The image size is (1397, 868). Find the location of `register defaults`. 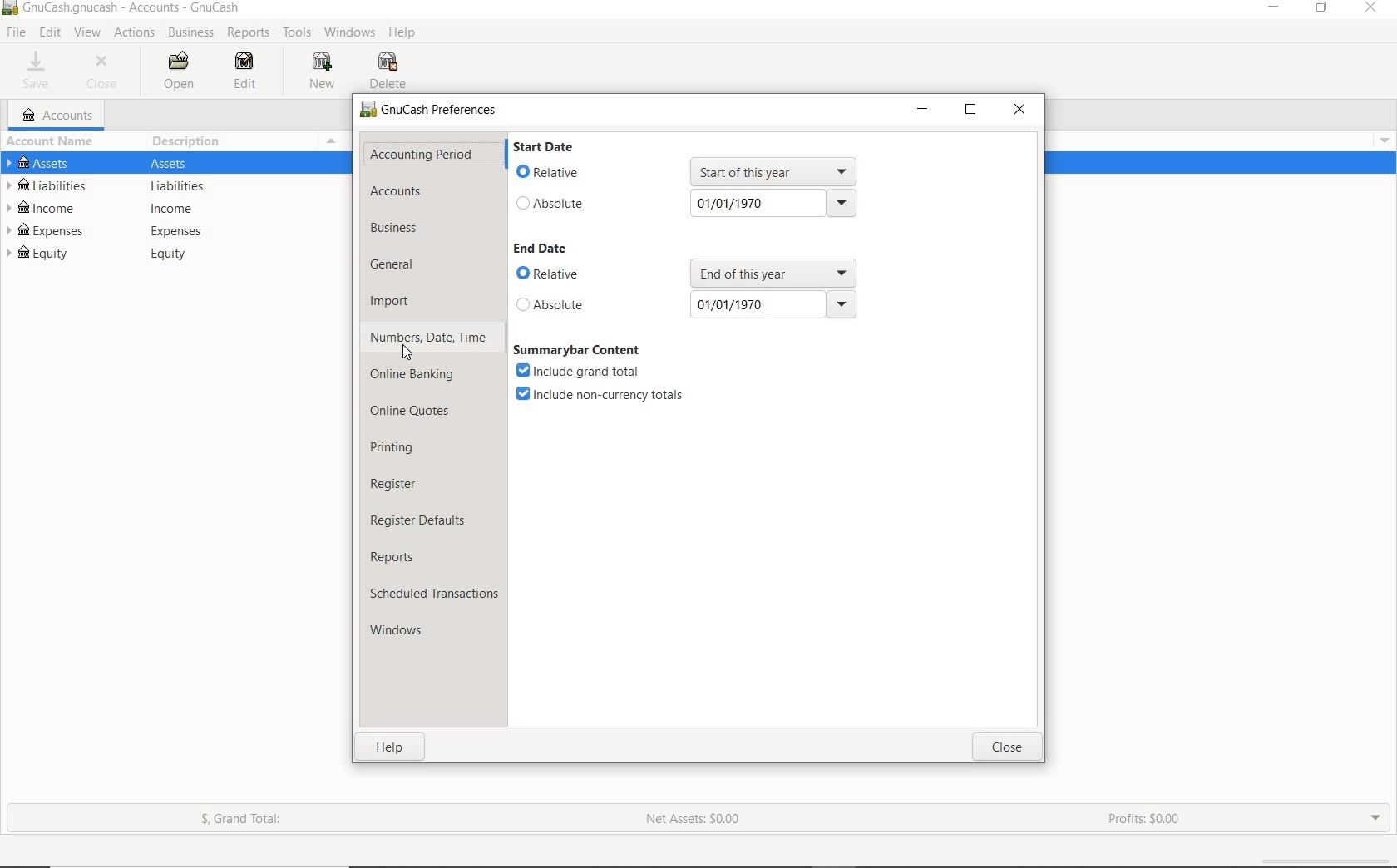

register defaults is located at coordinates (420, 520).